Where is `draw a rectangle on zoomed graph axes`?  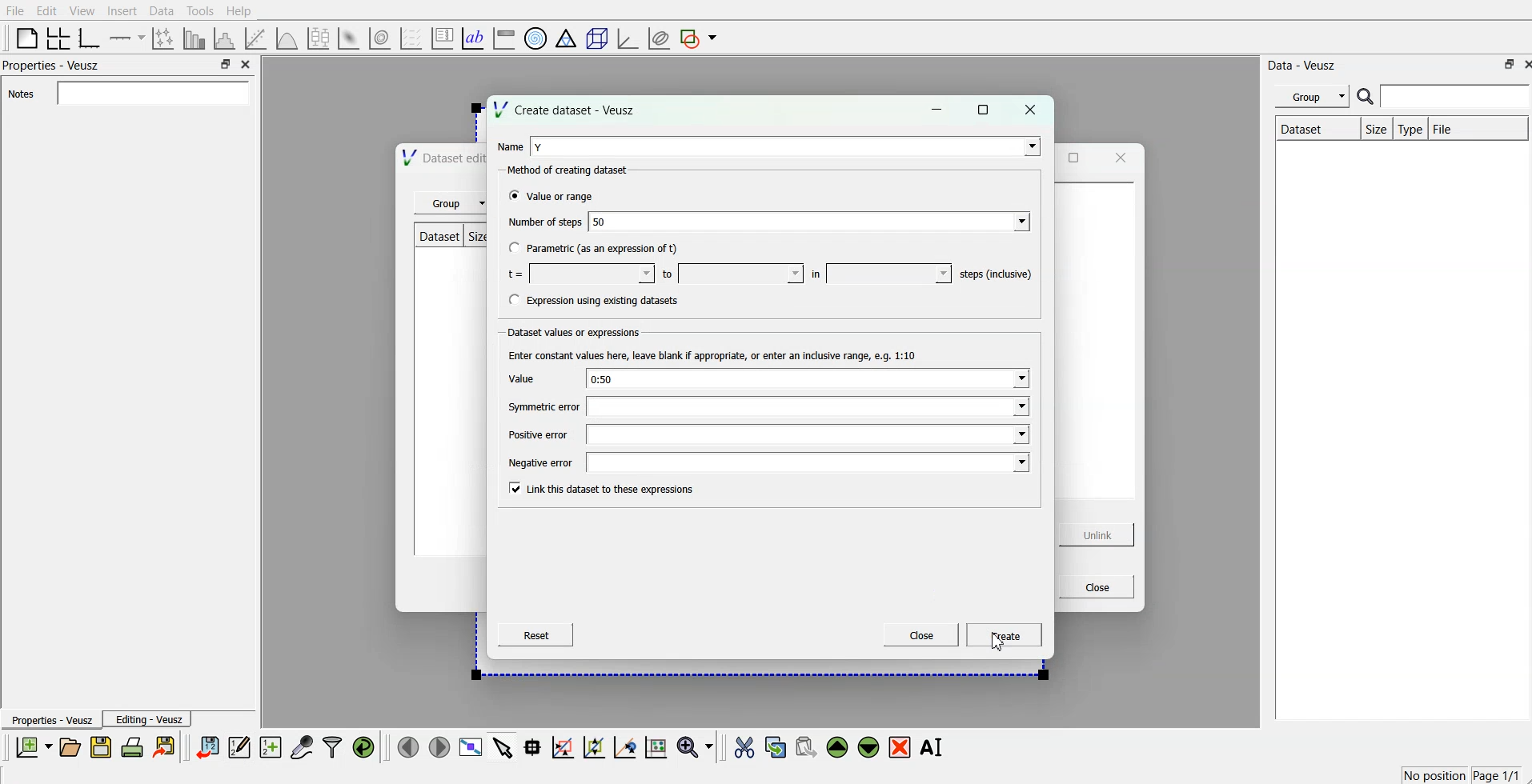
draw a rectangle on zoomed graph axes is located at coordinates (563, 749).